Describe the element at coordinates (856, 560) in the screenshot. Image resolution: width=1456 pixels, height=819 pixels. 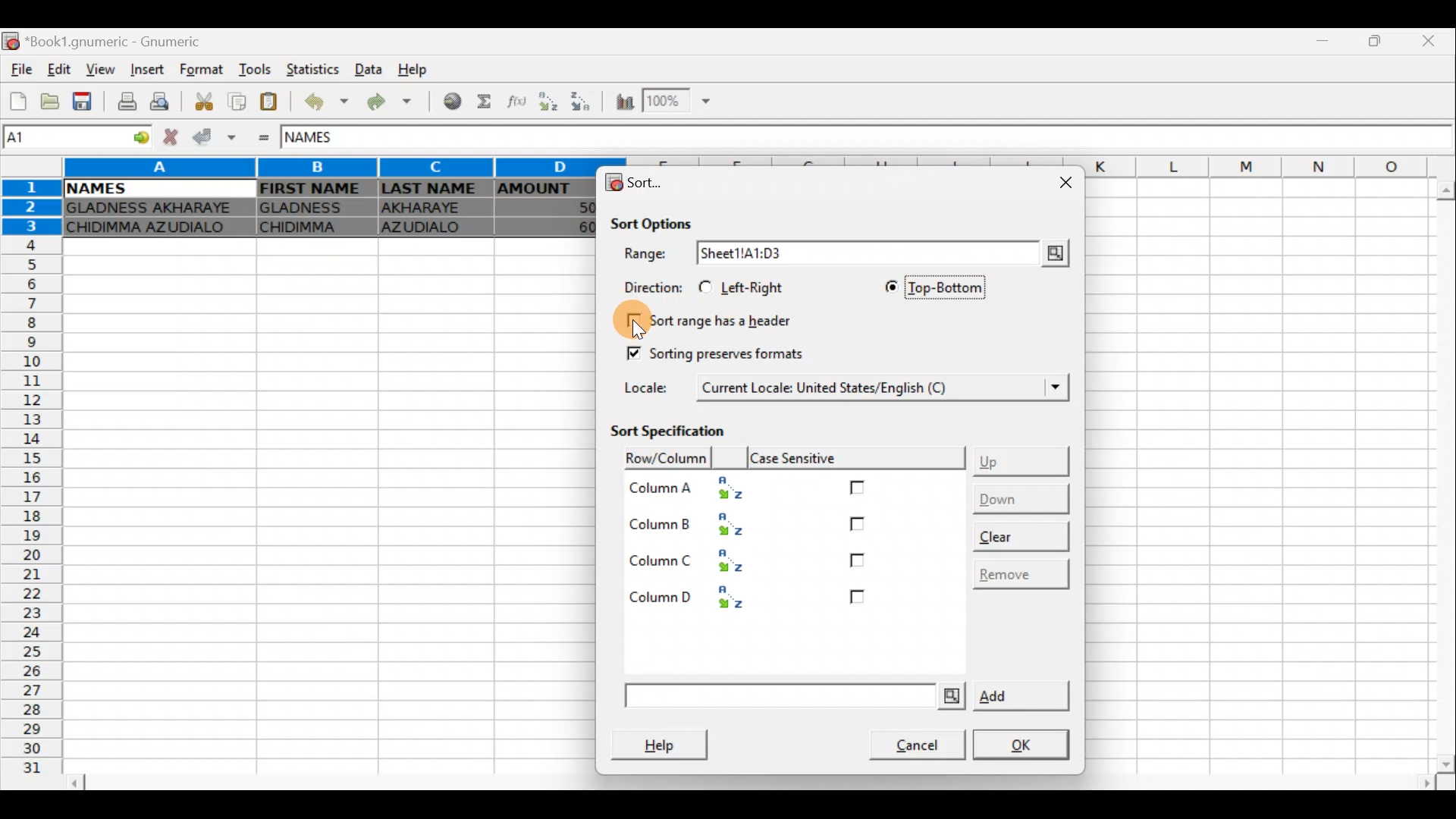
I see `Checkbox` at that location.